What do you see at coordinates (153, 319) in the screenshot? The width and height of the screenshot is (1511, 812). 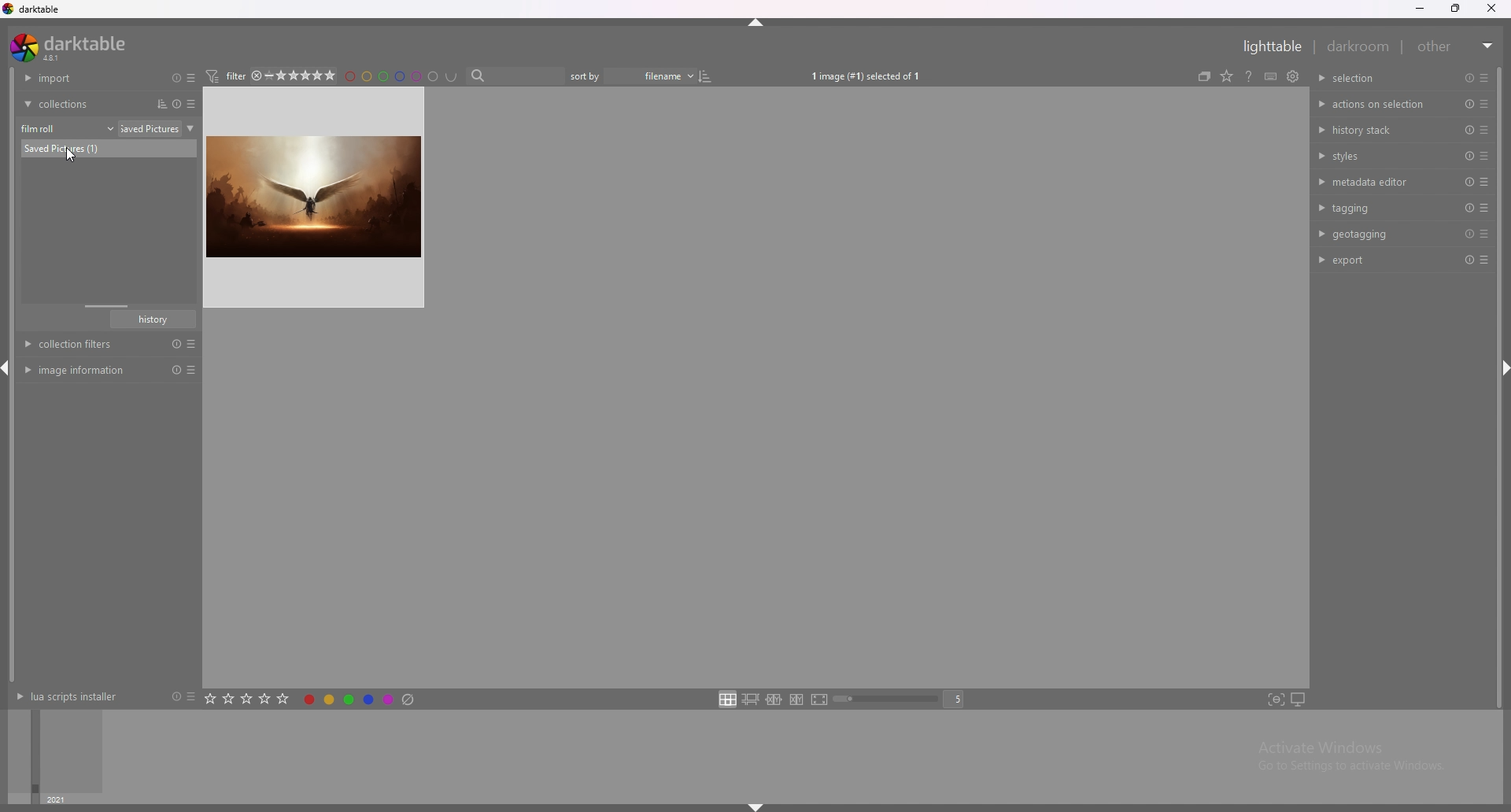 I see `history name` at bounding box center [153, 319].